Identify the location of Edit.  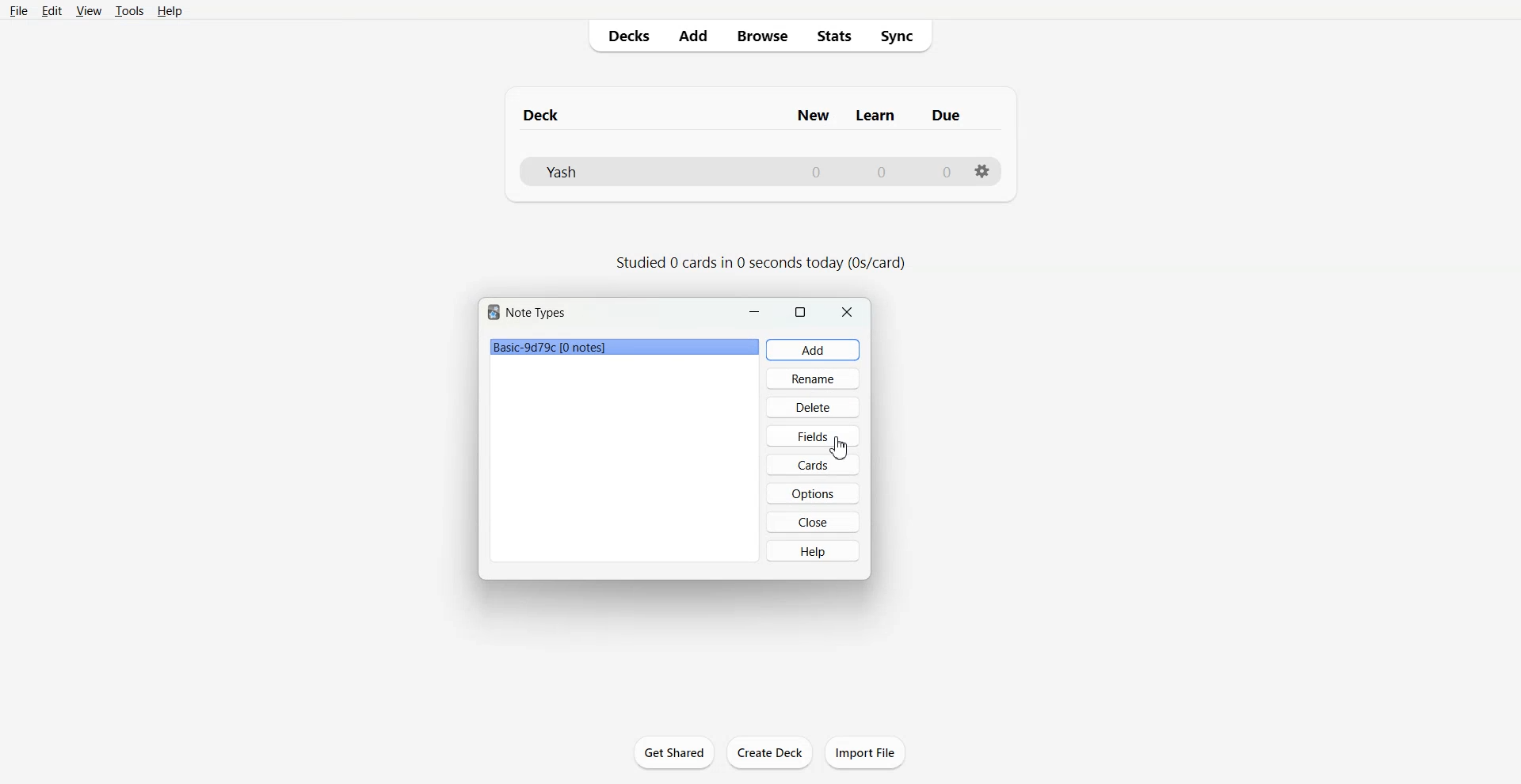
(51, 11).